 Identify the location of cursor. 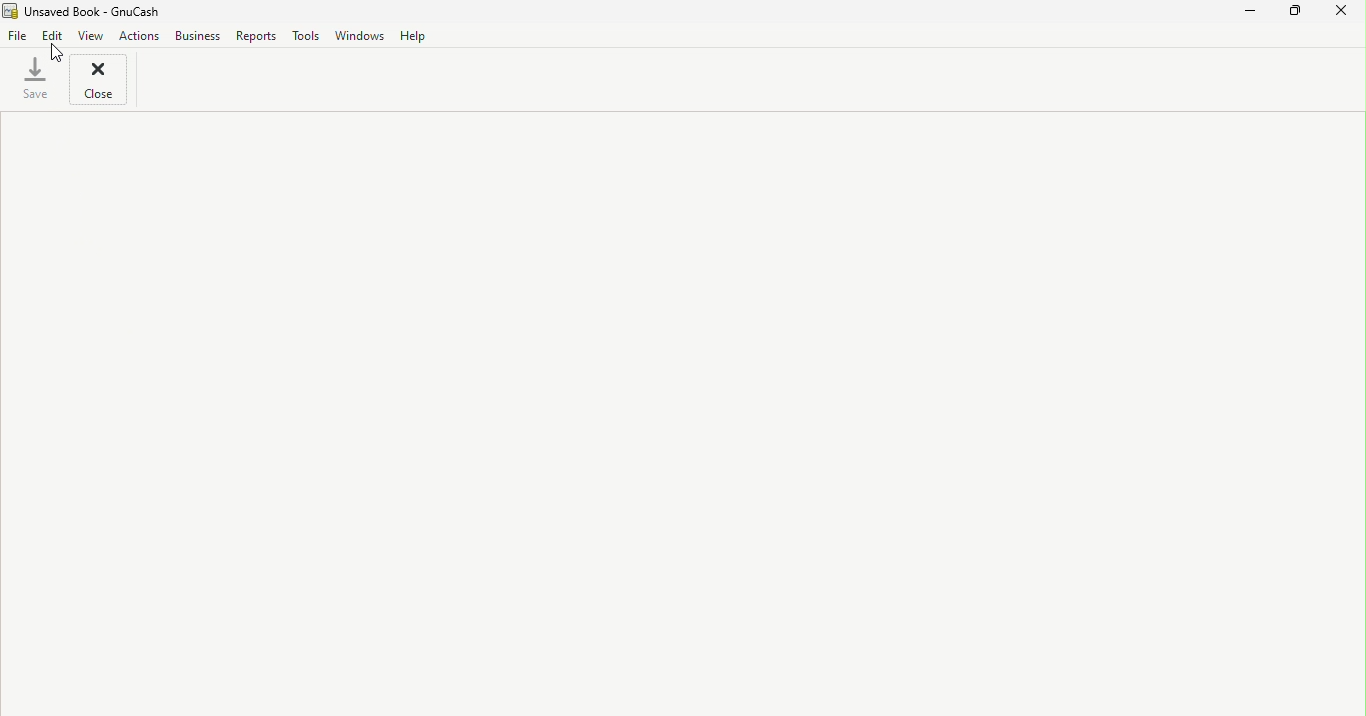
(58, 56).